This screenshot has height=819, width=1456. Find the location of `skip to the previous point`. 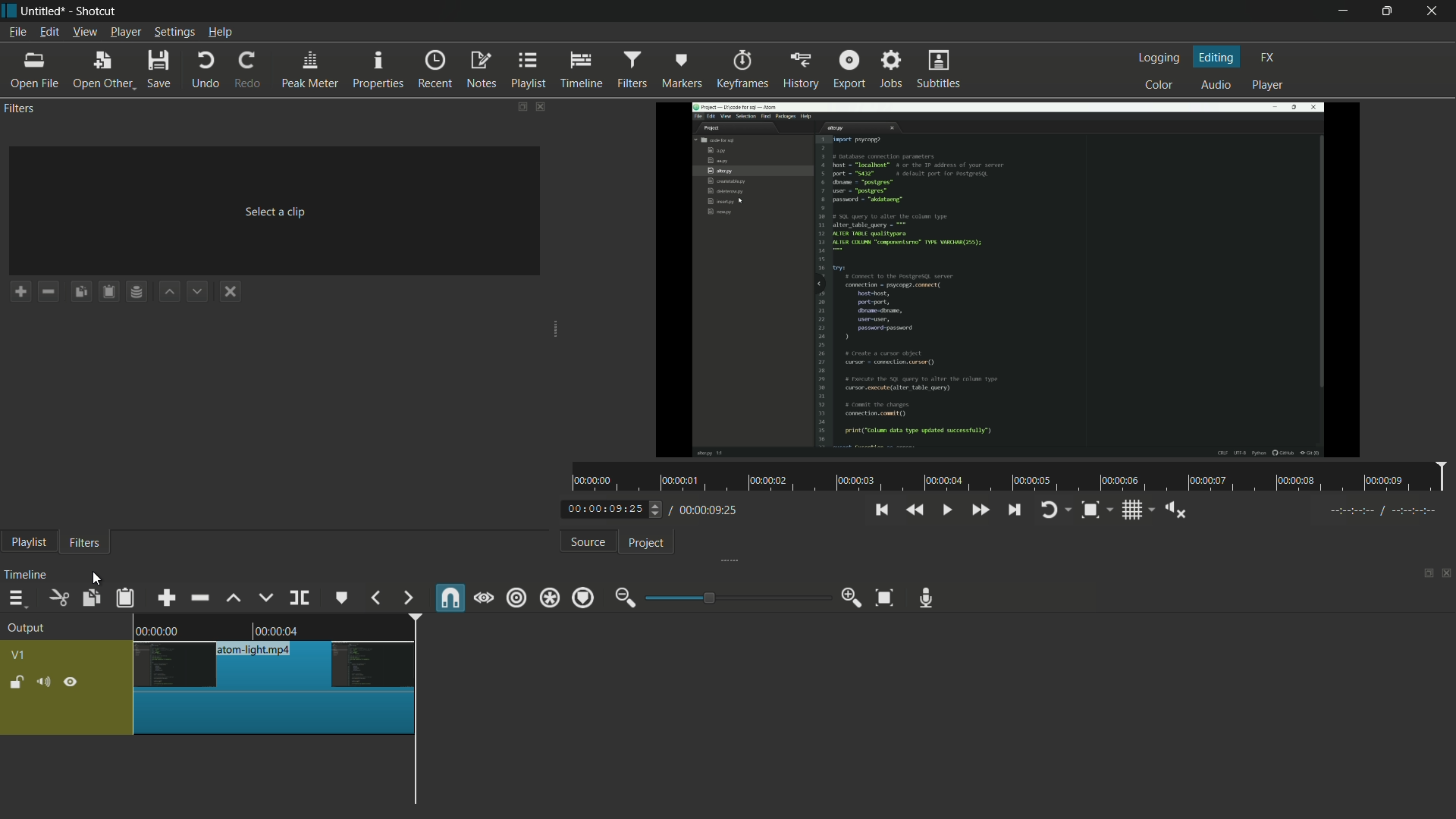

skip to the previous point is located at coordinates (881, 510).